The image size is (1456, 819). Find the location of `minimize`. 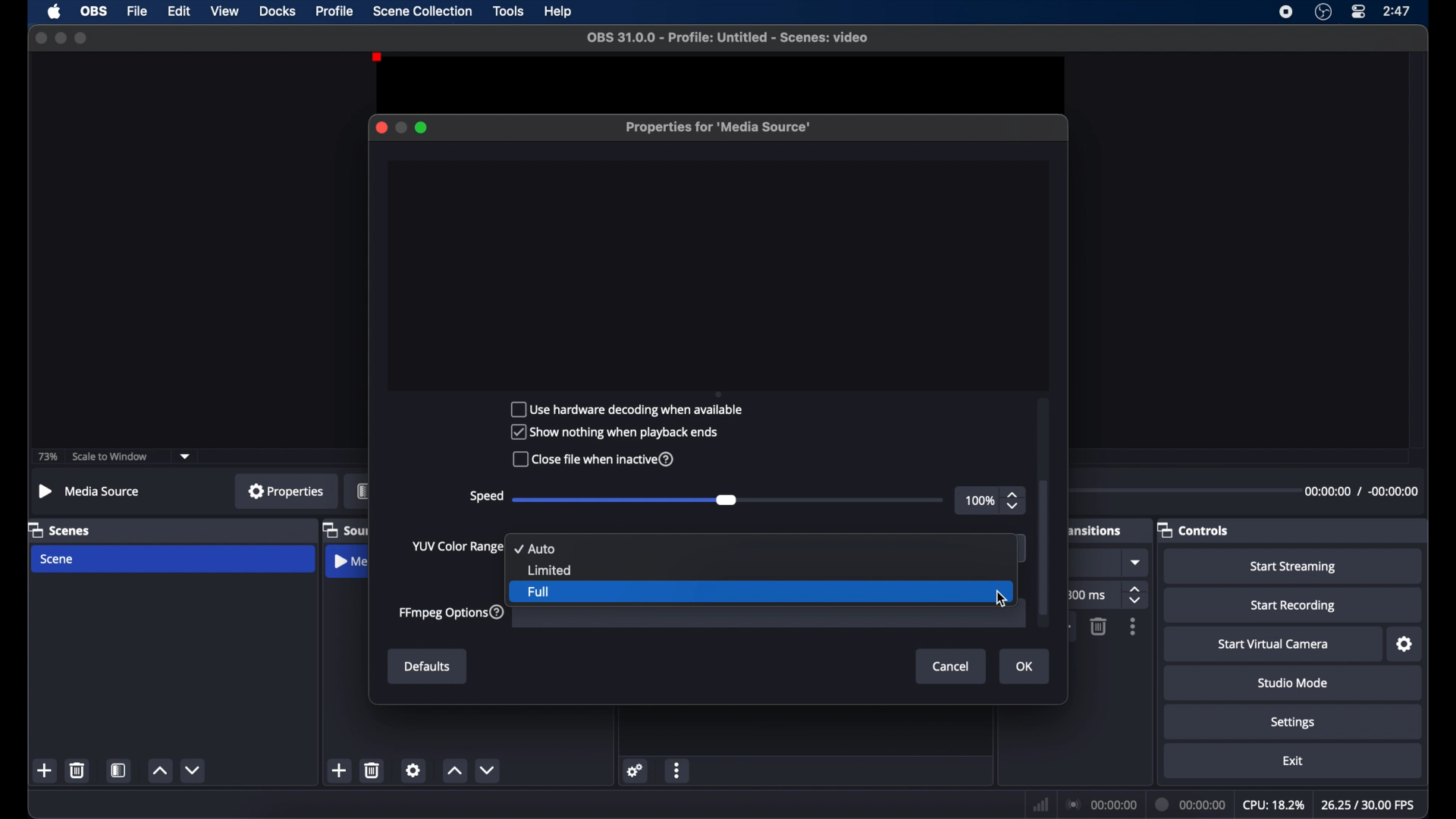

minimize is located at coordinates (400, 127).